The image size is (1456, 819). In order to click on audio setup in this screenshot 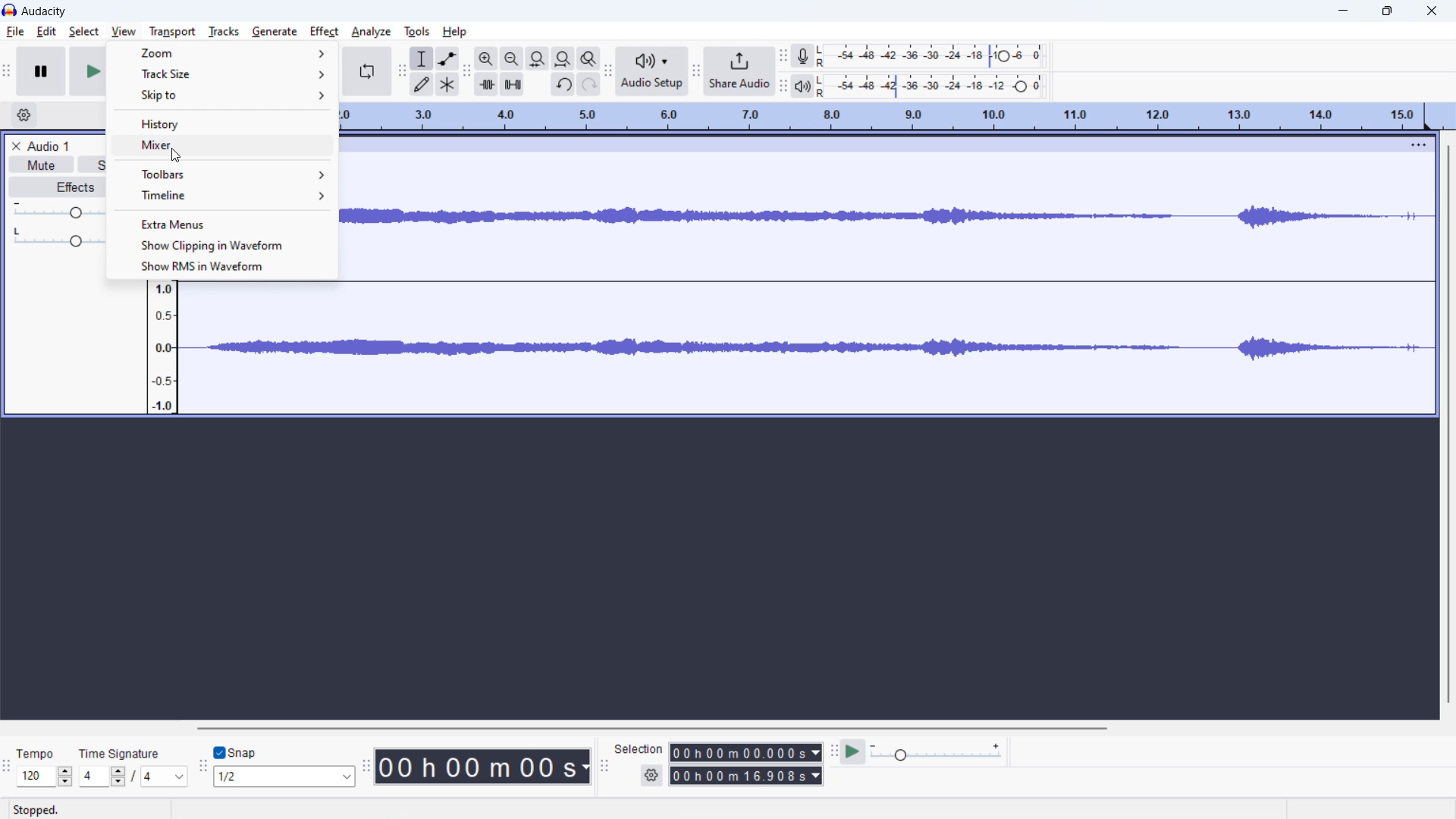, I will do `click(652, 72)`.